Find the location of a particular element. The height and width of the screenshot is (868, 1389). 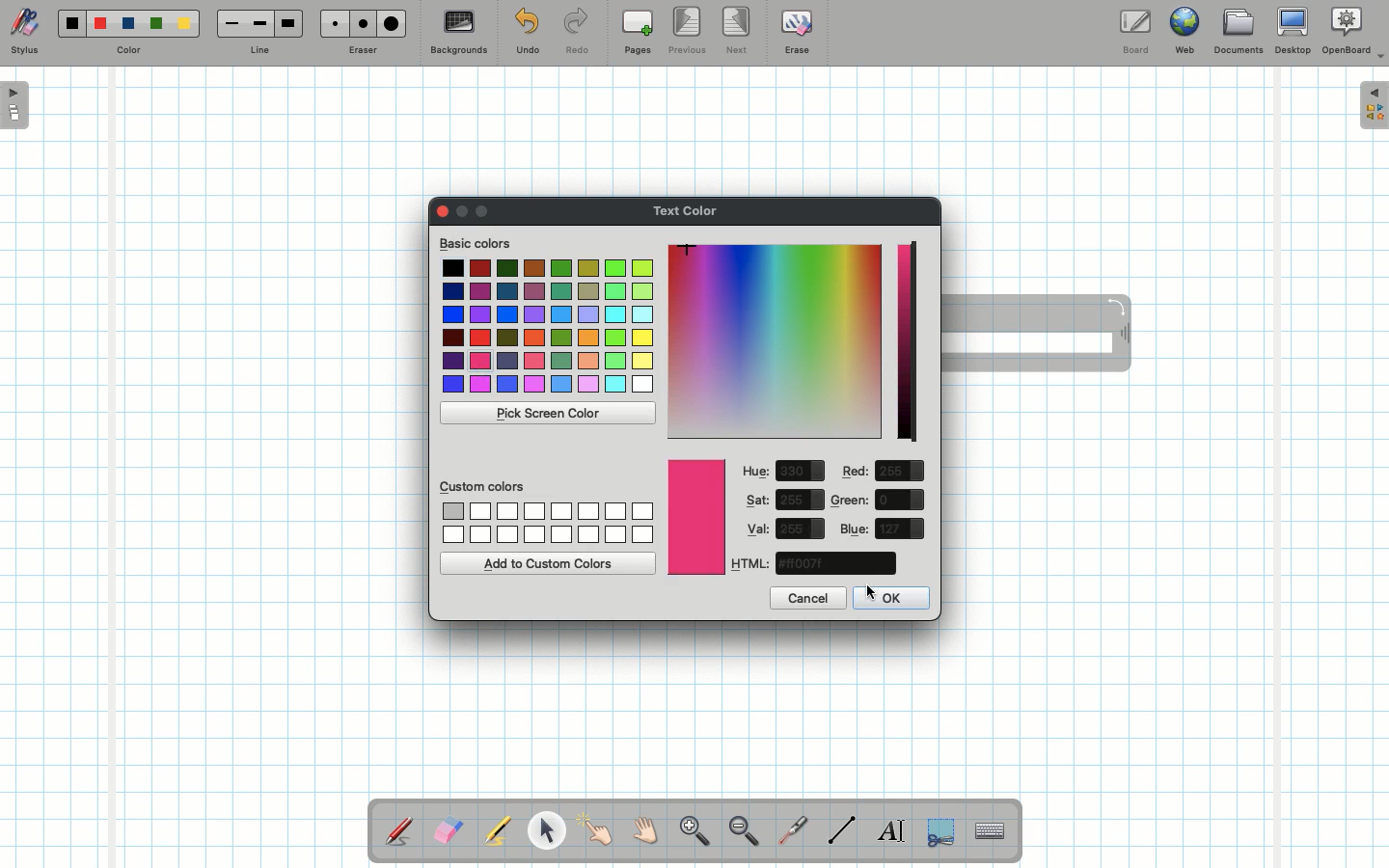

Write text is located at coordinates (893, 827).